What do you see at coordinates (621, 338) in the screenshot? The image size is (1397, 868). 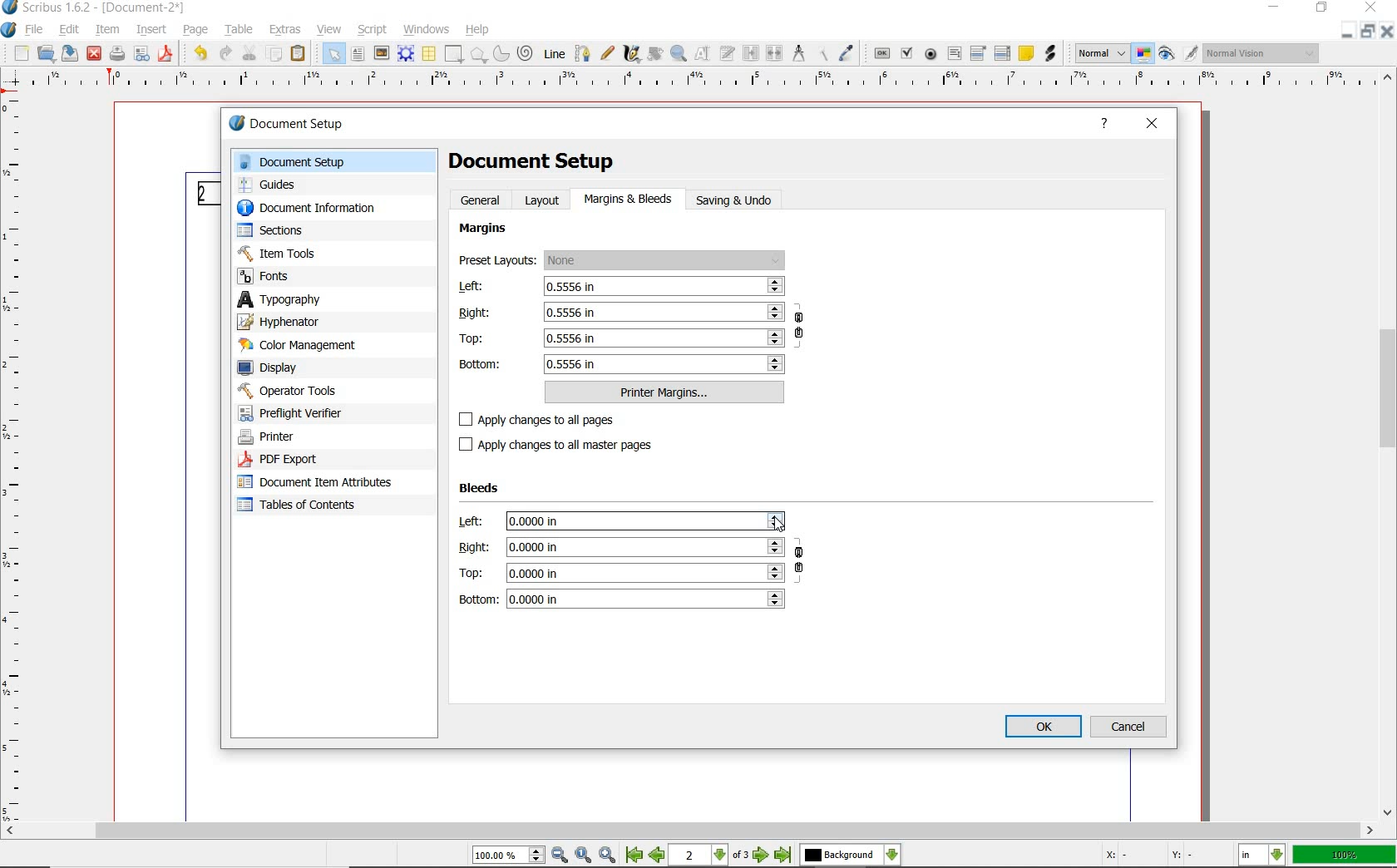 I see `Top` at bounding box center [621, 338].